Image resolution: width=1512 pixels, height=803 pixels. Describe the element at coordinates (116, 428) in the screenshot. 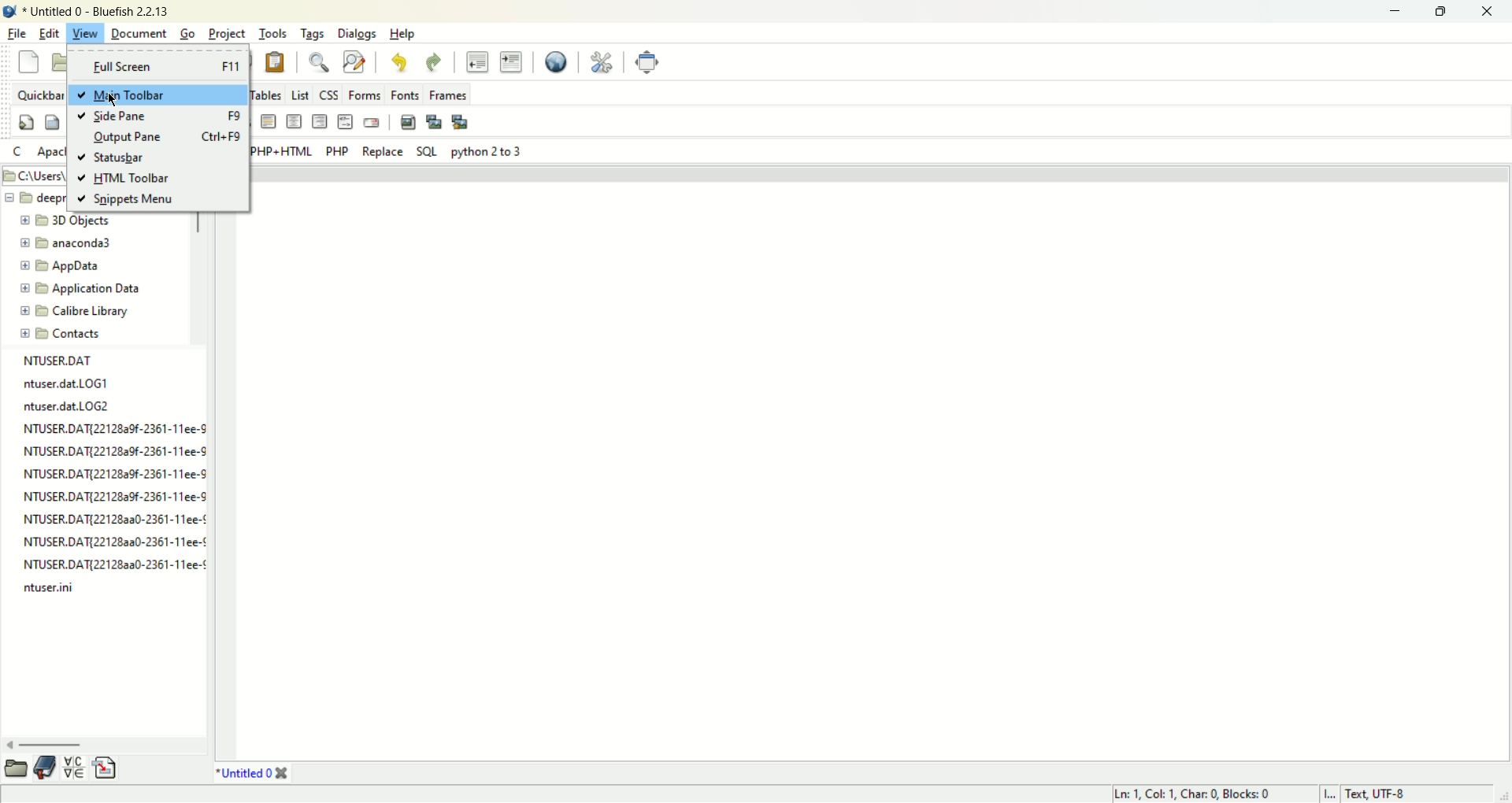

I see `NTUSER.DAT[221282a9f-2361-11ee-S` at that location.